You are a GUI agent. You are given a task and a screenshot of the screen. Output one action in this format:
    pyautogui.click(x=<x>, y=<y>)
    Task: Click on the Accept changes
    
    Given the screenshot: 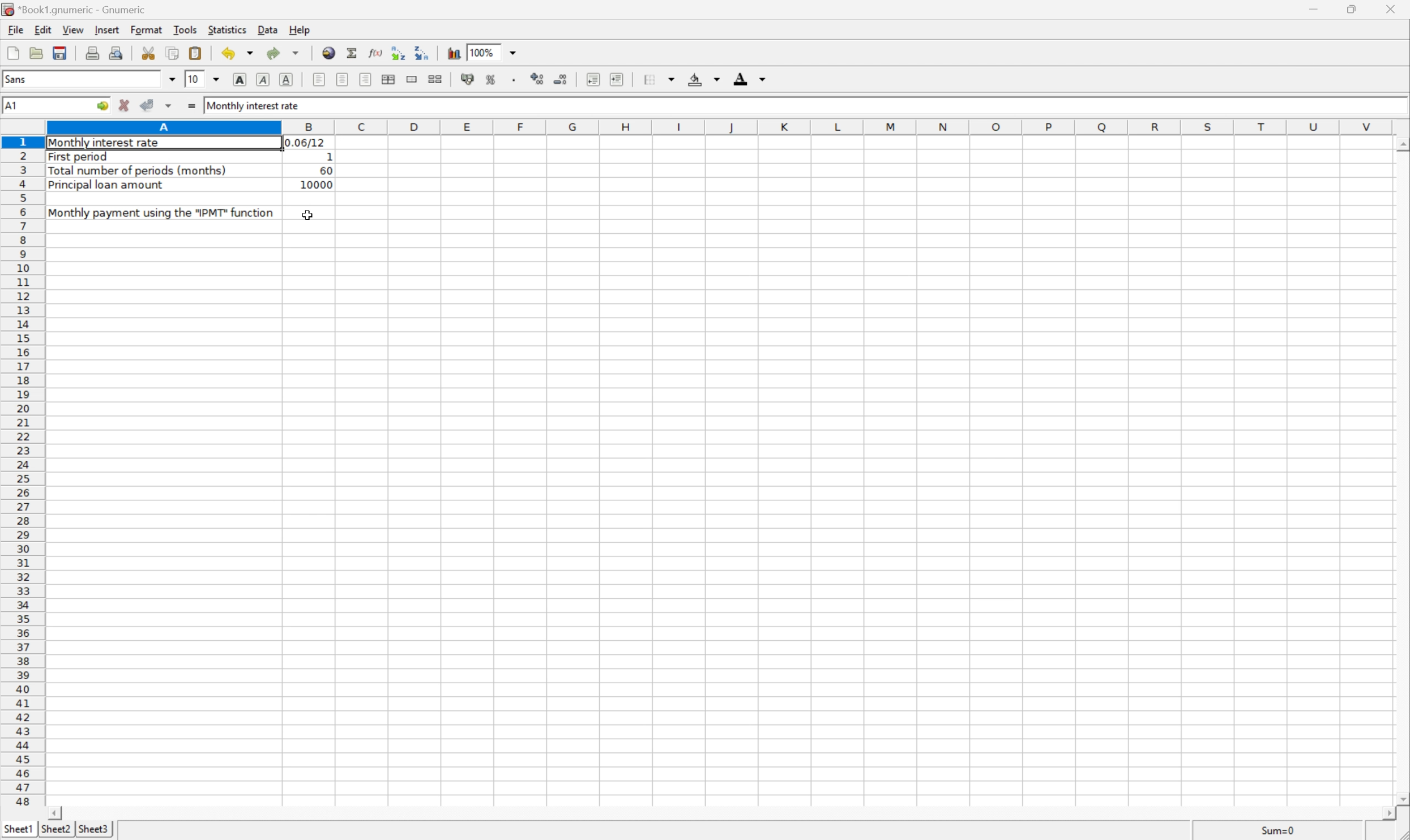 What is the action you would take?
    pyautogui.click(x=149, y=106)
    